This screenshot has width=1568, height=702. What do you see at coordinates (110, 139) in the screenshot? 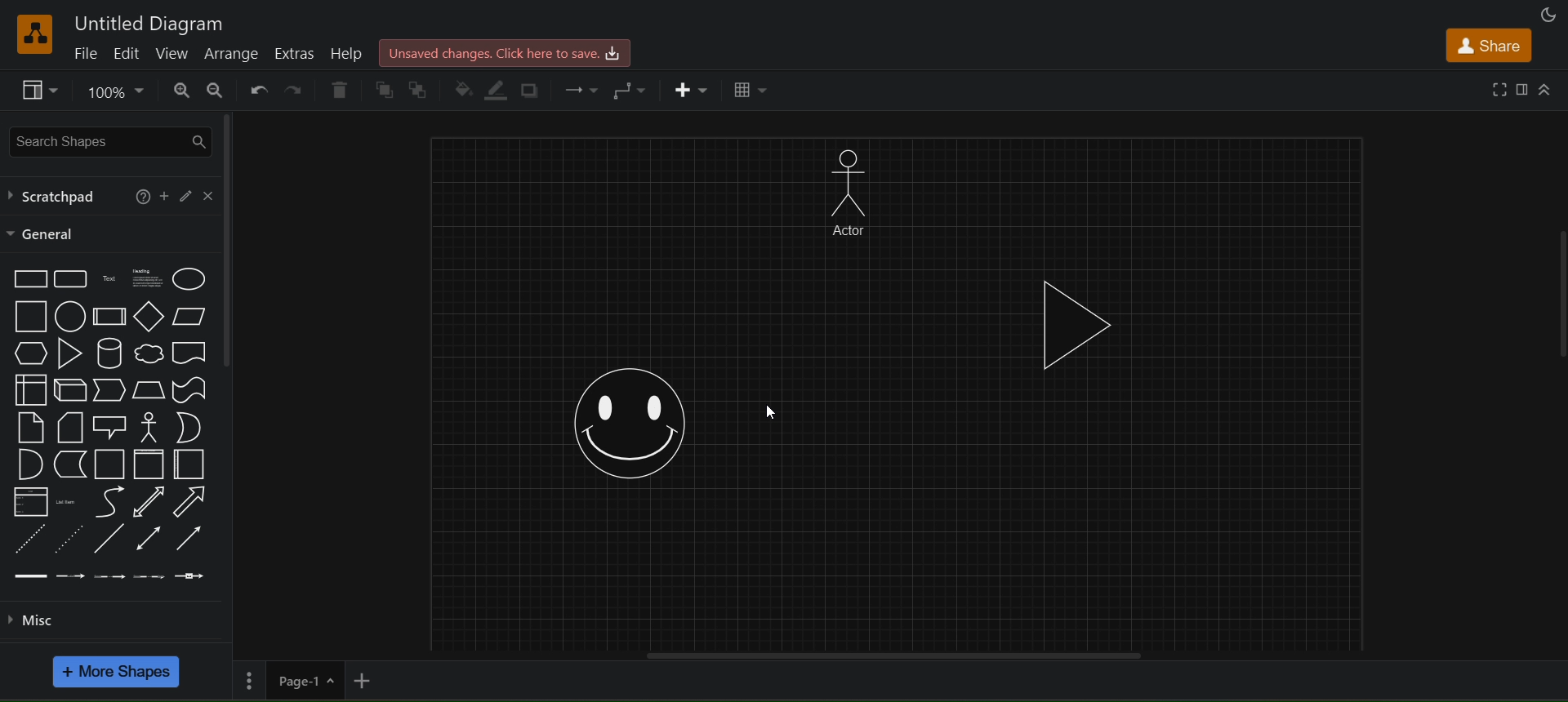
I see `search shapes` at bounding box center [110, 139].